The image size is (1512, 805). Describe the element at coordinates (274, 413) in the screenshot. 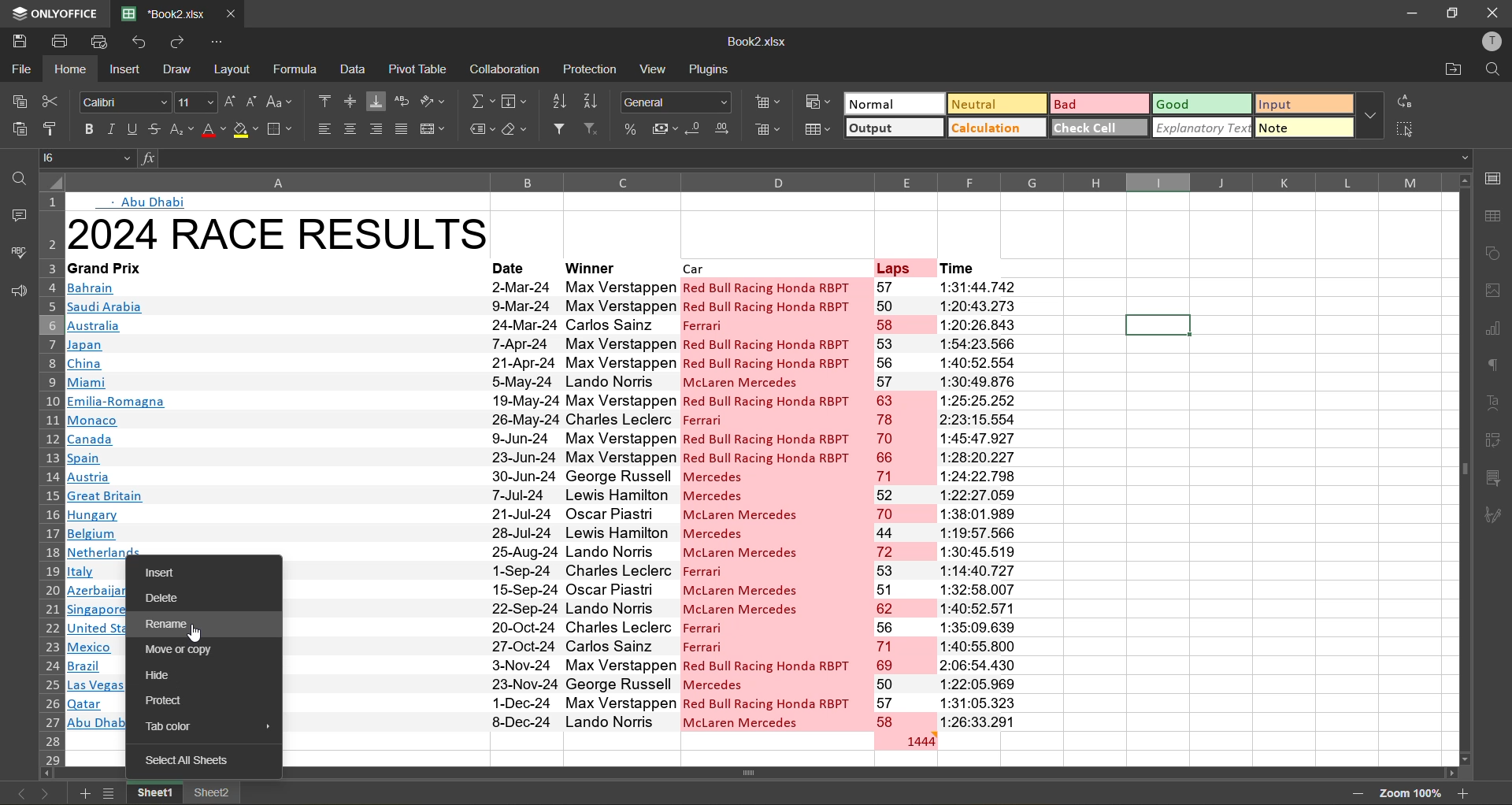

I see `country` at that location.